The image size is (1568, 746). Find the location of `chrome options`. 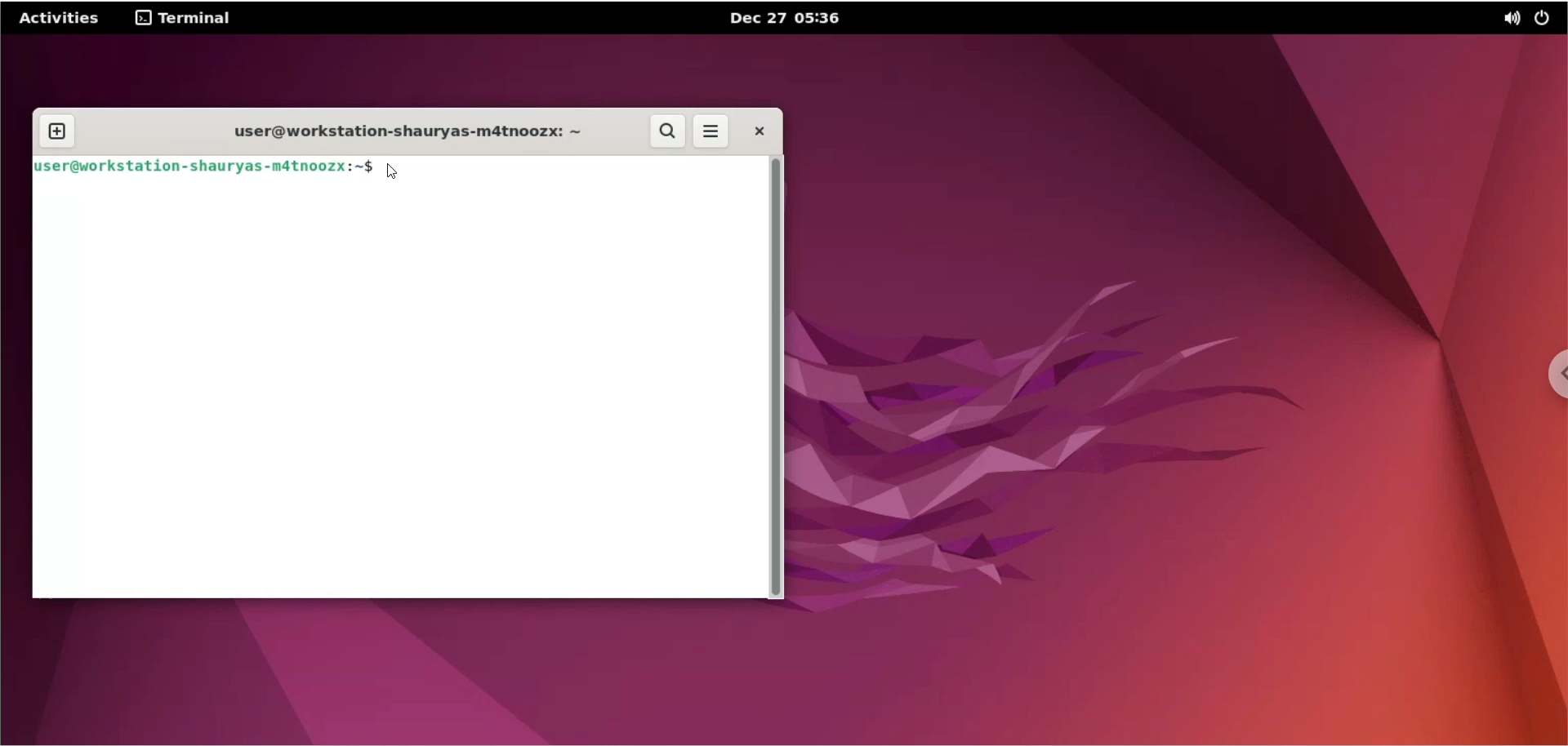

chrome options is located at coordinates (1553, 375).